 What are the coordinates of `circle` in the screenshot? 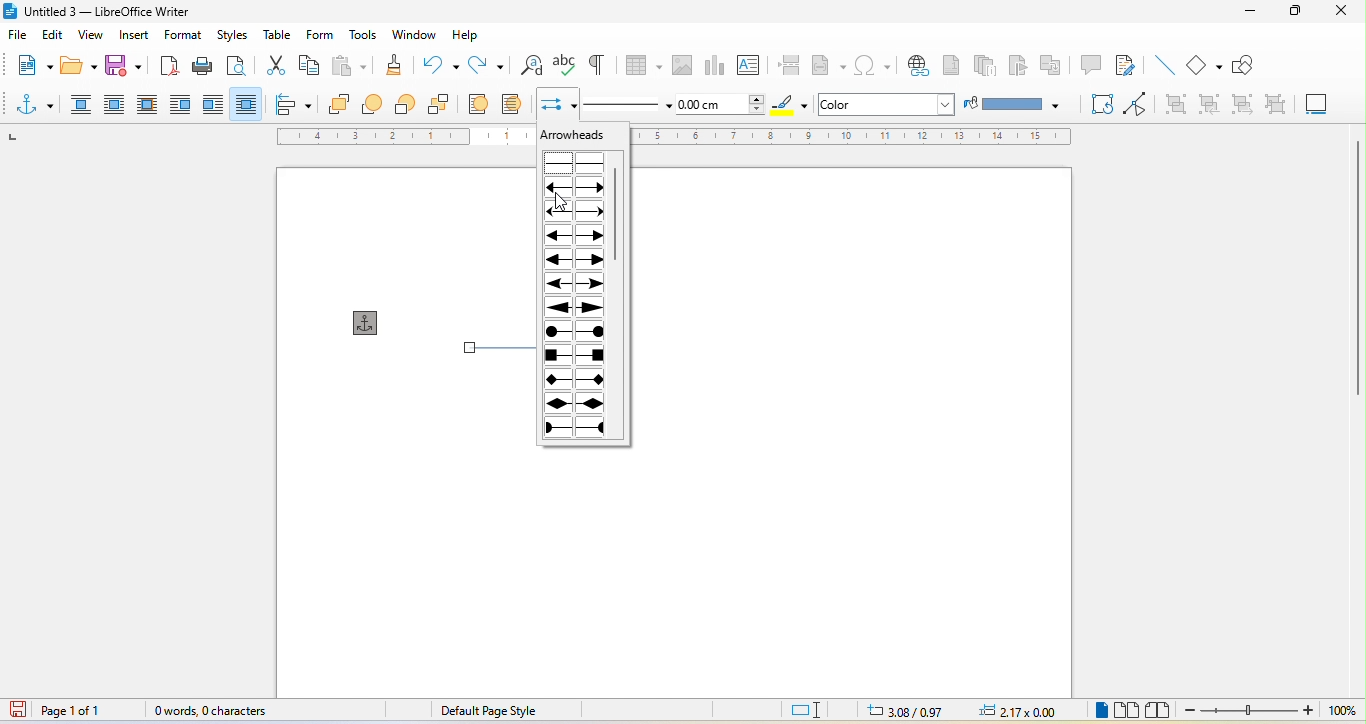 It's located at (577, 336).